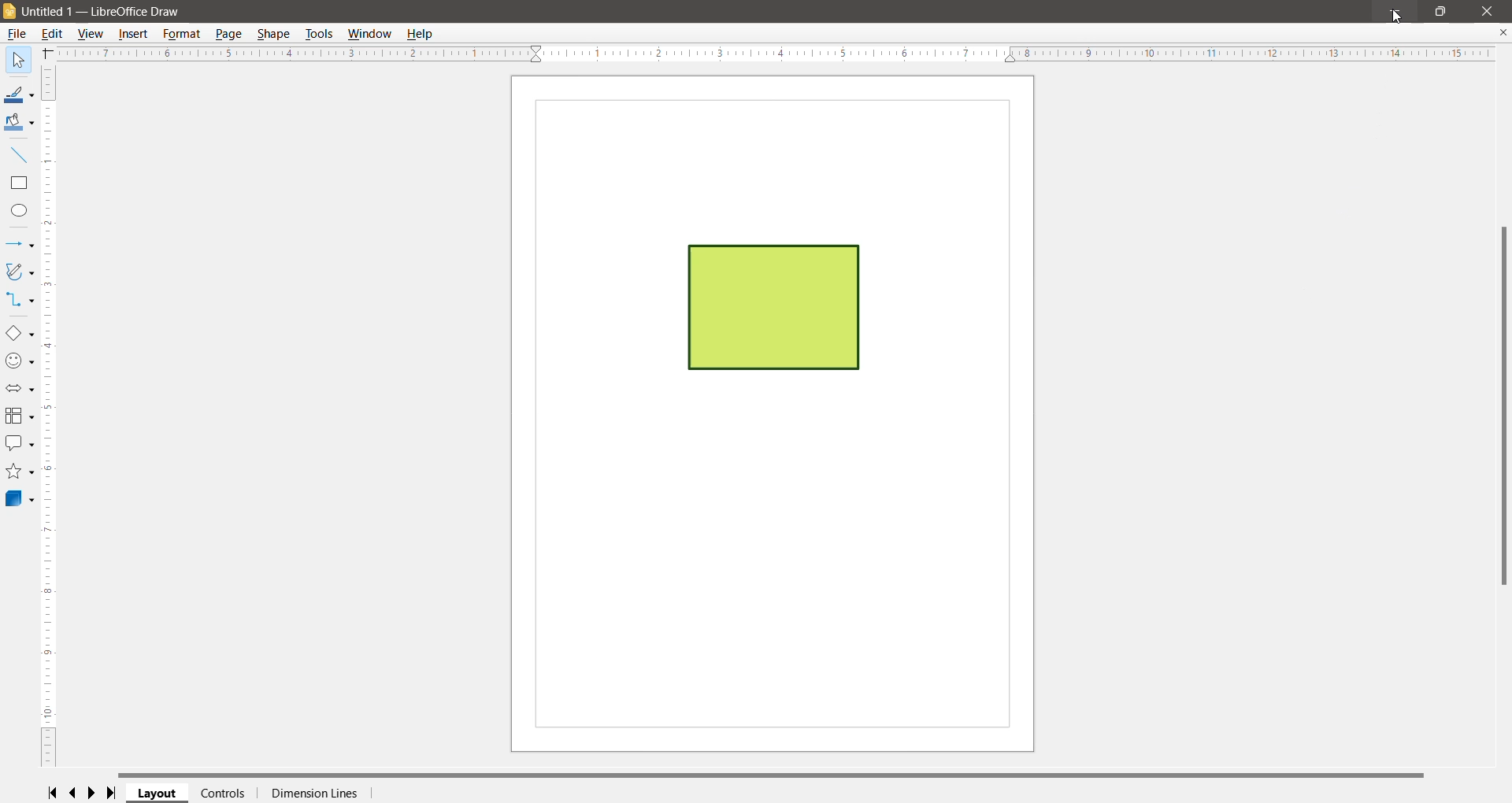  Describe the element at coordinates (20, 210) in the screenshot. I see `Ellipse` at that location.